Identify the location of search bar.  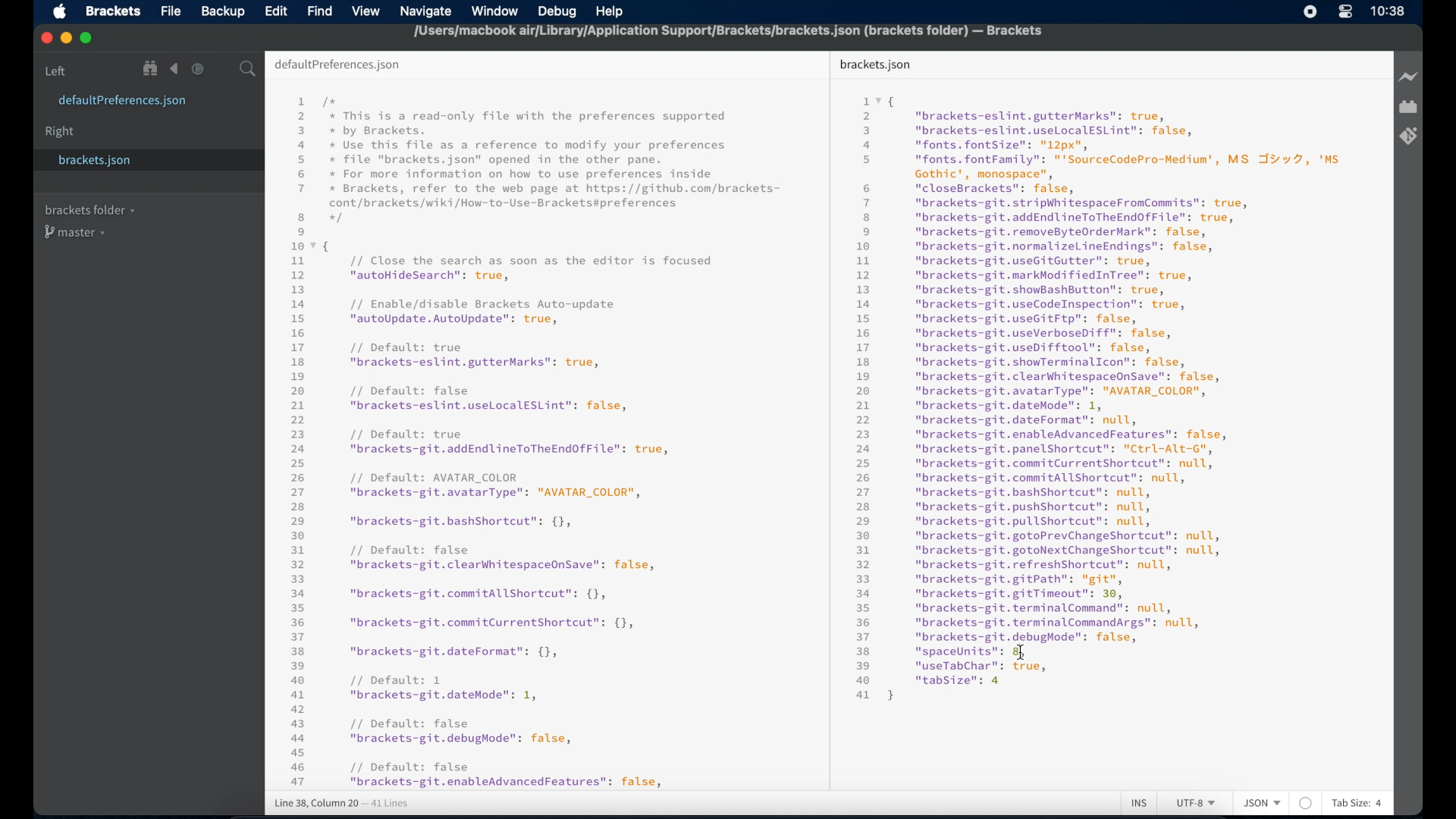
(248, 70).